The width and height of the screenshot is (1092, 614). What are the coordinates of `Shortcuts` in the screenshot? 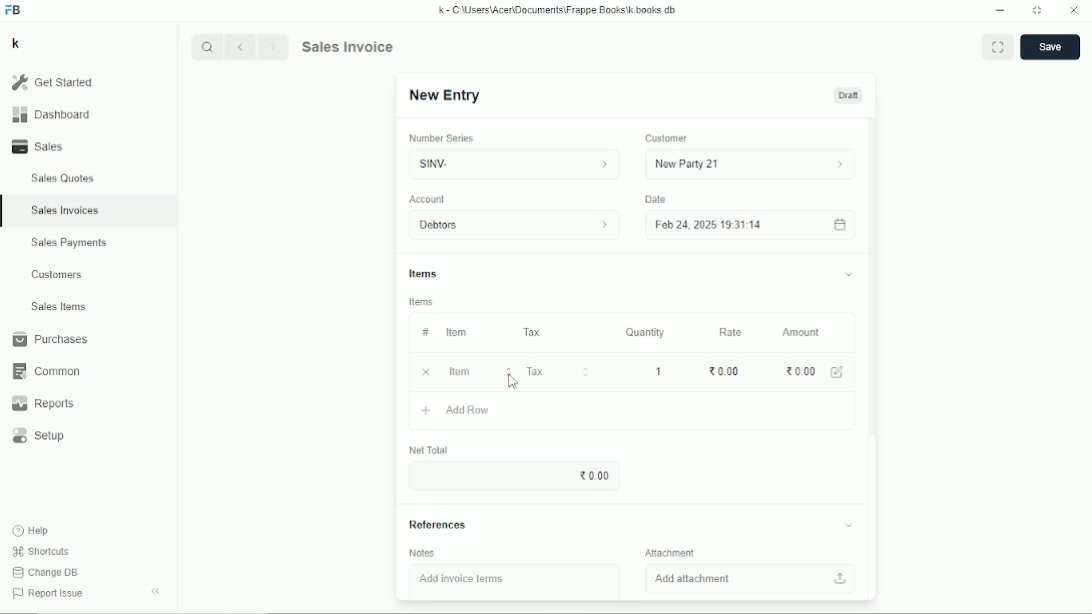 It's located at (40, 551).